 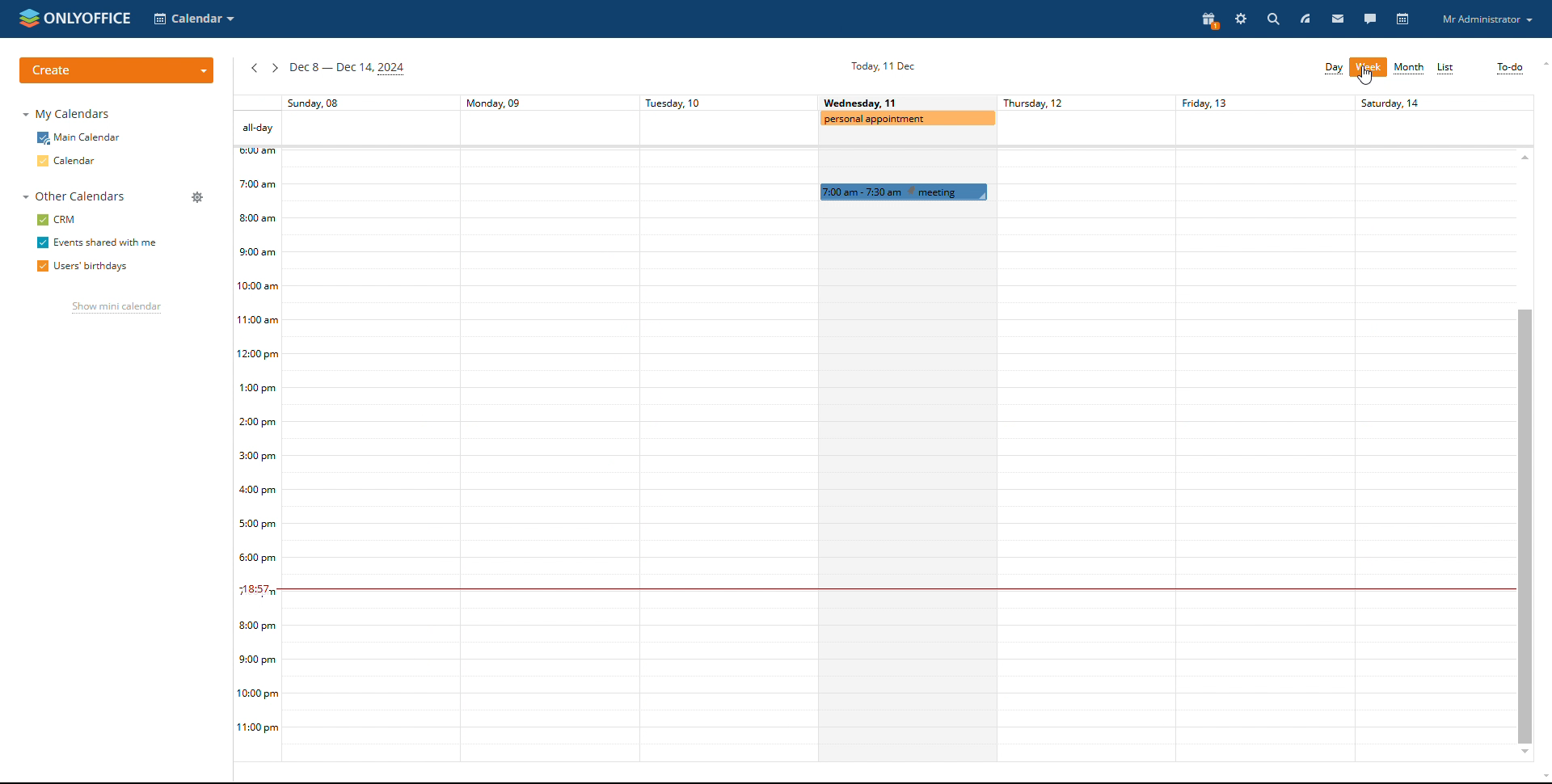 I want to click on feed, so click(x=1305, y=18).